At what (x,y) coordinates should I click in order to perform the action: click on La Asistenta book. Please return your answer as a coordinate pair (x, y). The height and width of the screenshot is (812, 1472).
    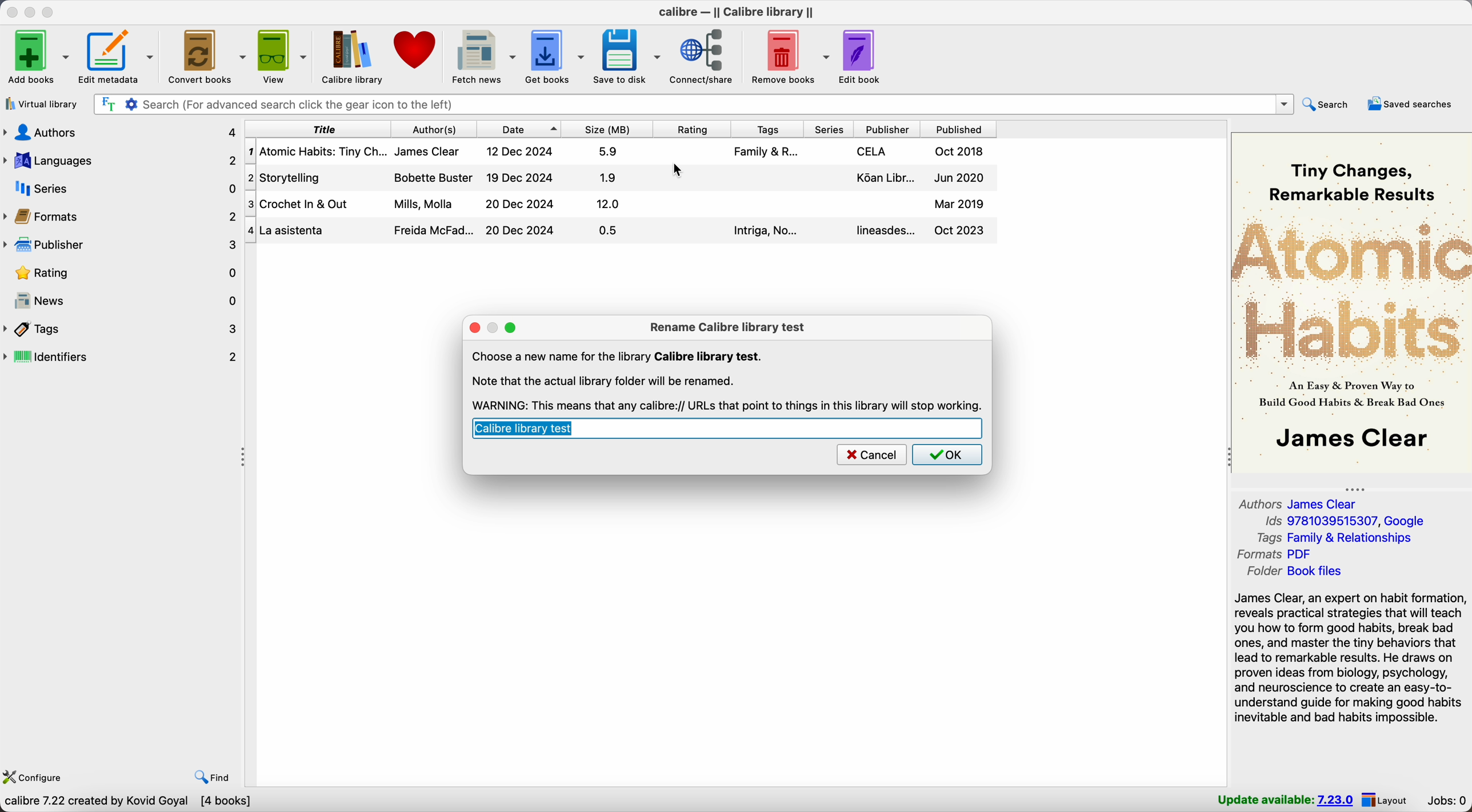
    Looking at the image, I should click on (622, 232).